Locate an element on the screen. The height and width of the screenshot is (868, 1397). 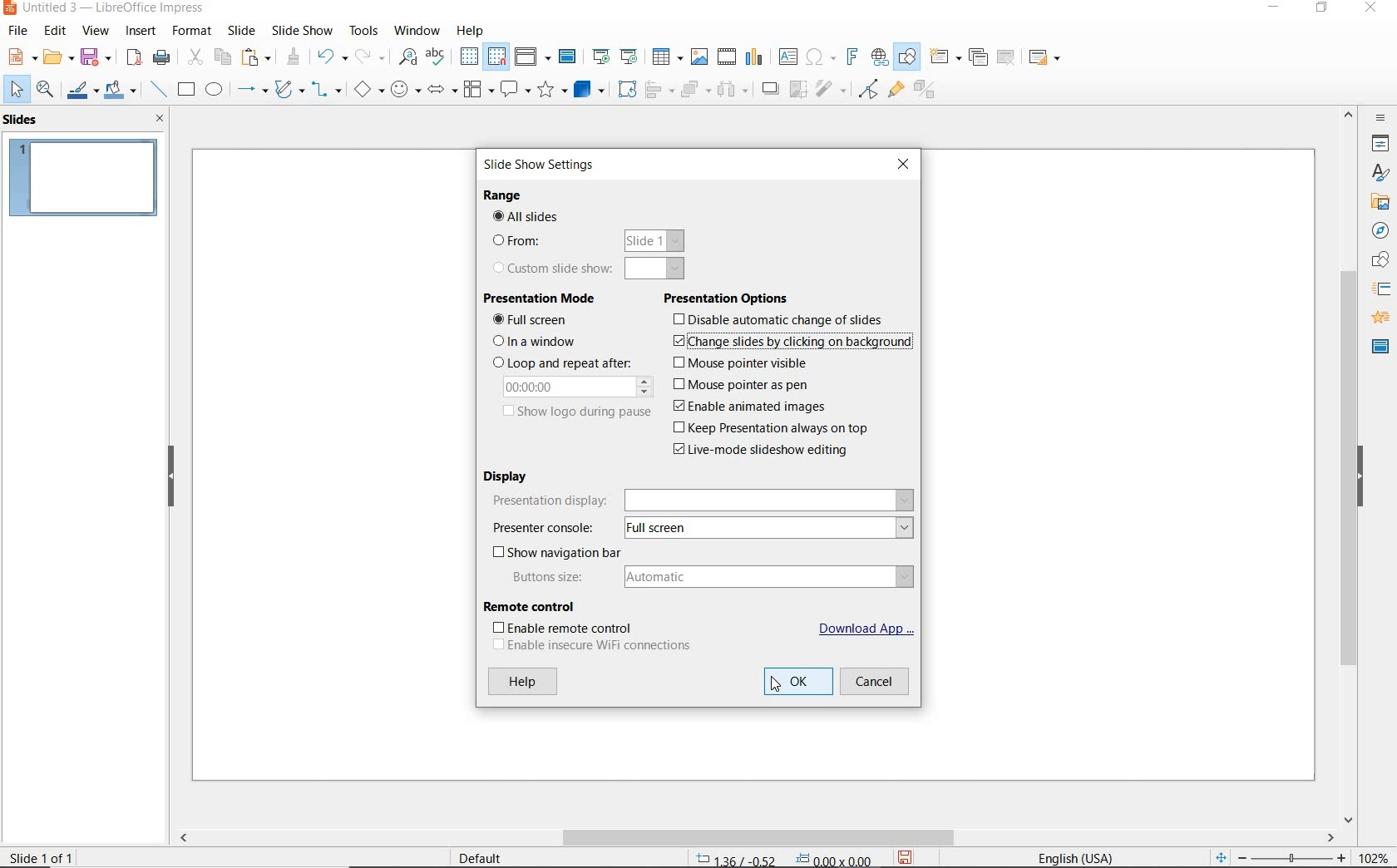
ZOOM & PAN is located at coordinates (46, 89).